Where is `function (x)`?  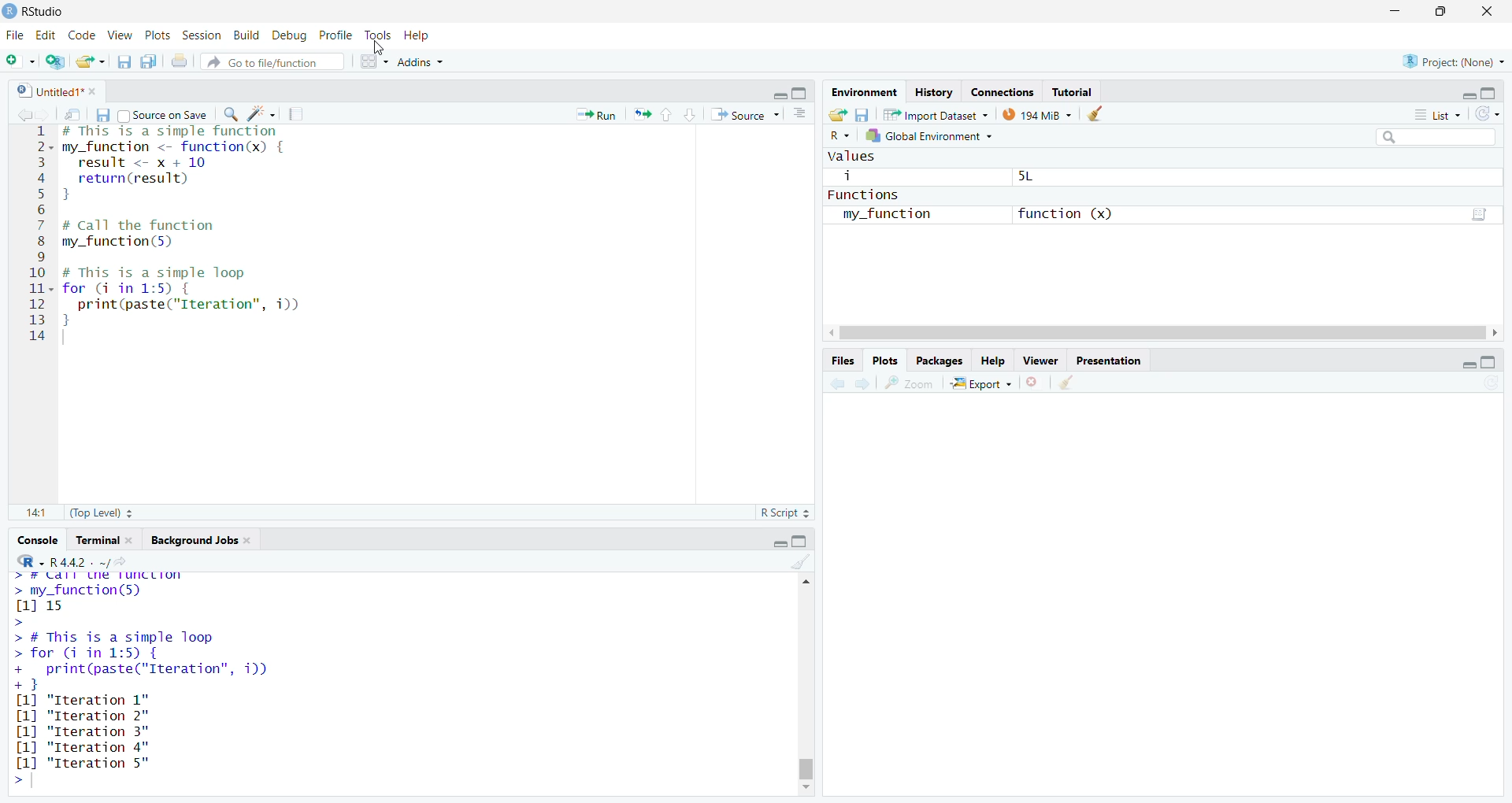
function (x) is located at coordinates (1063, 213).